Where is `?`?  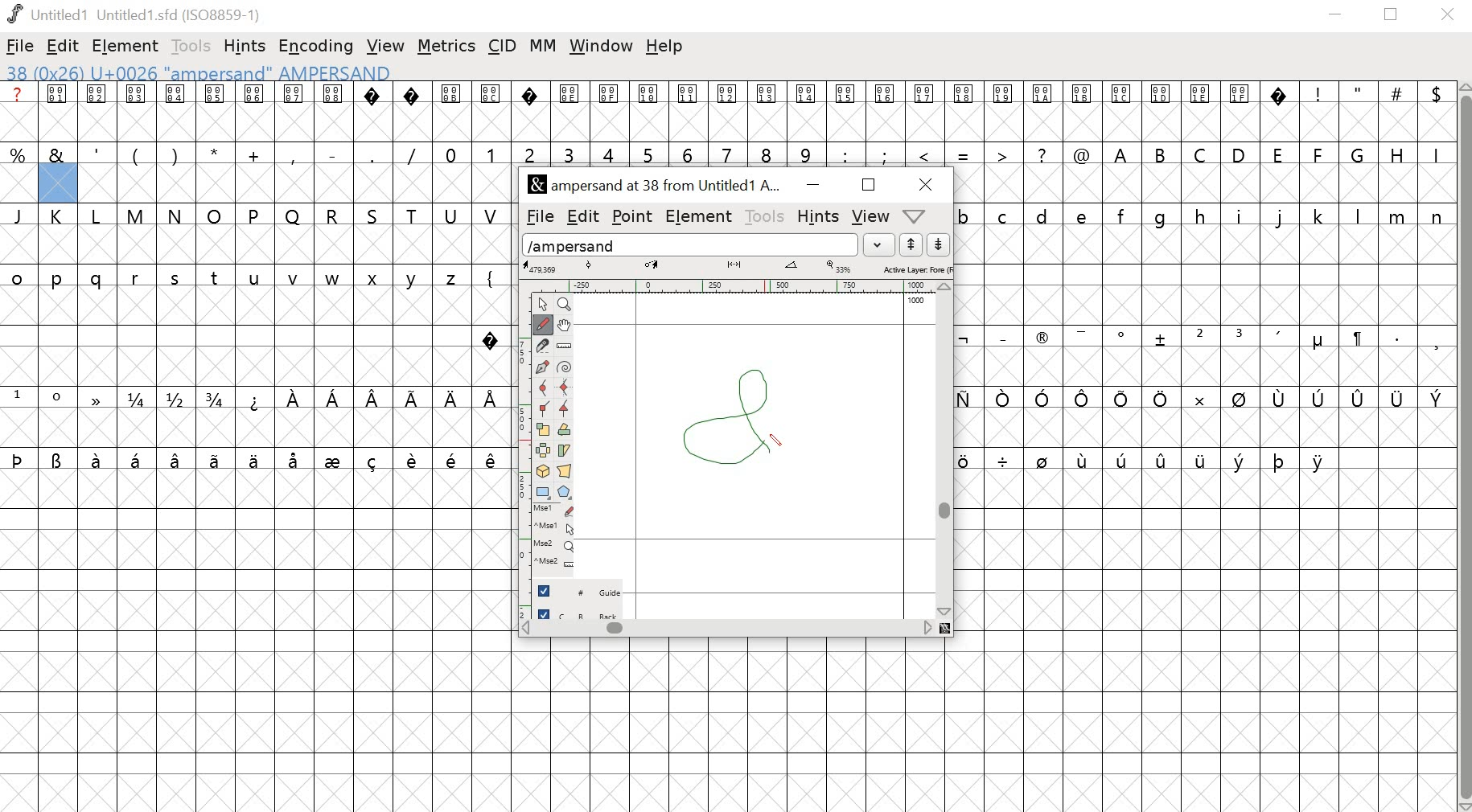
? is located at coordinates (413, 112).